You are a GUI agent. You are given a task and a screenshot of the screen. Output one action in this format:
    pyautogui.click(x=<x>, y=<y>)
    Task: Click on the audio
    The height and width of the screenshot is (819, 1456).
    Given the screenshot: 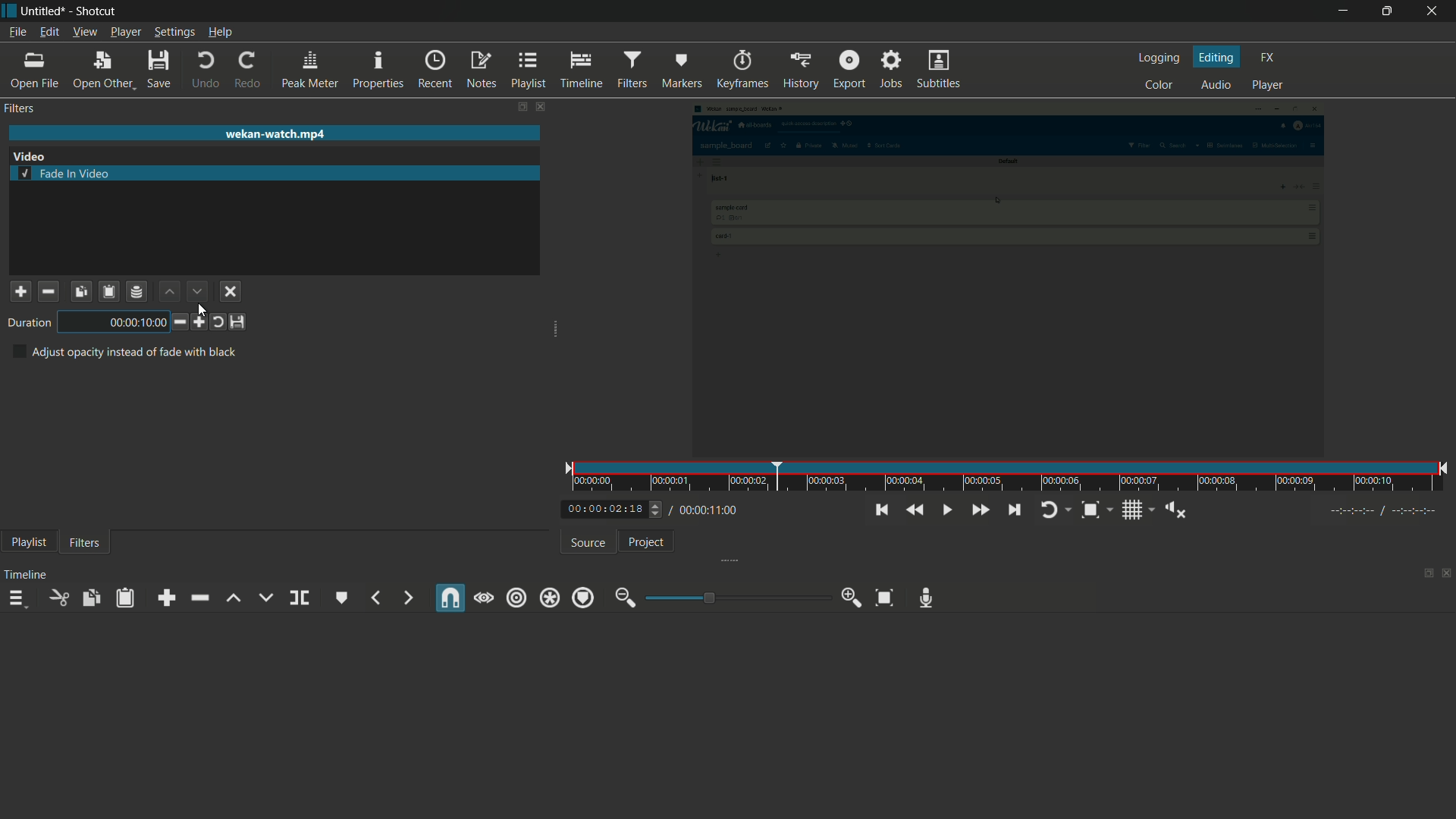 What is the action you would take?
    pyautogui.click(x=1216, y=86)
    